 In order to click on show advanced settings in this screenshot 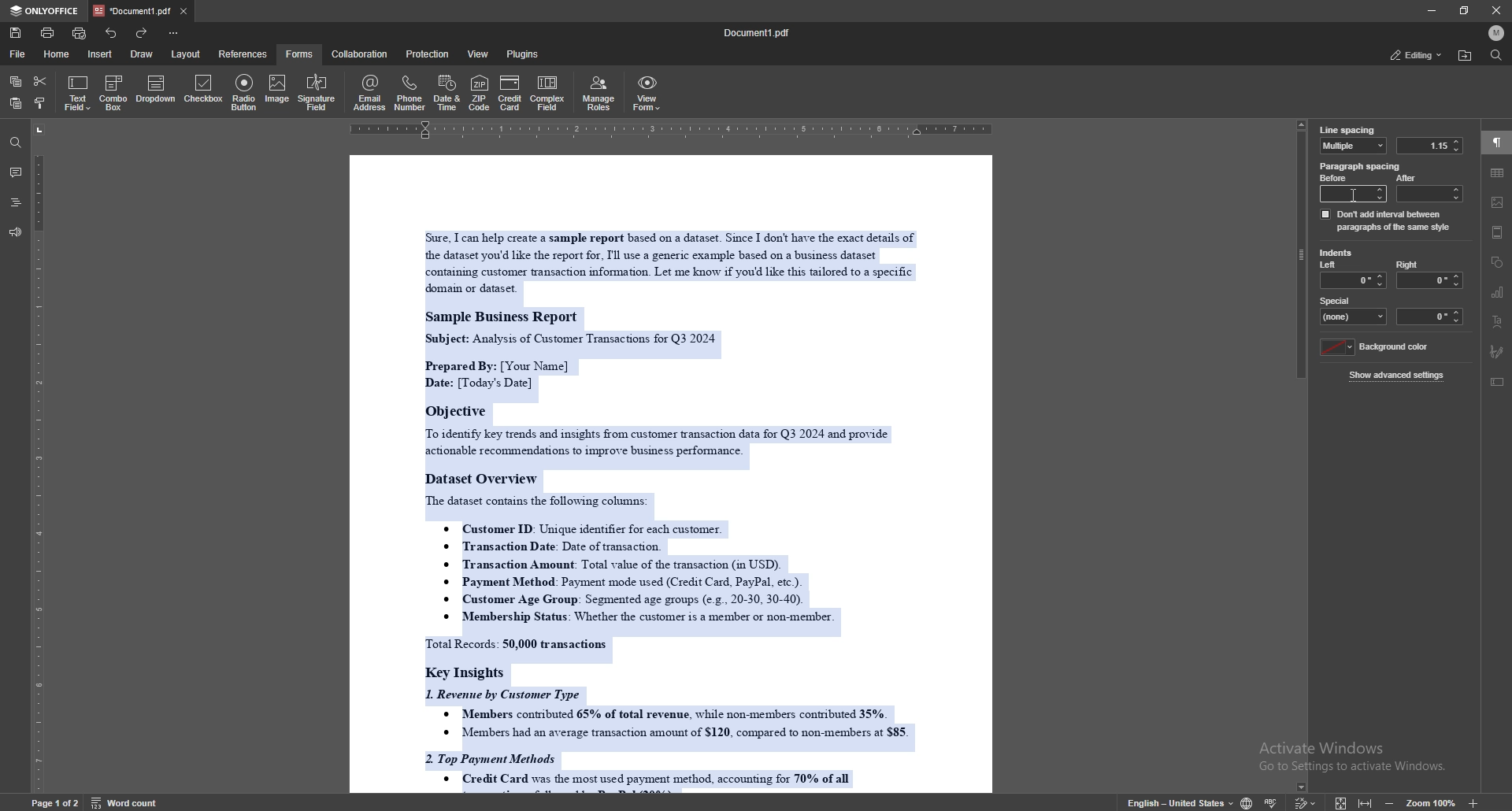, I will do `click(1399, 375)`.